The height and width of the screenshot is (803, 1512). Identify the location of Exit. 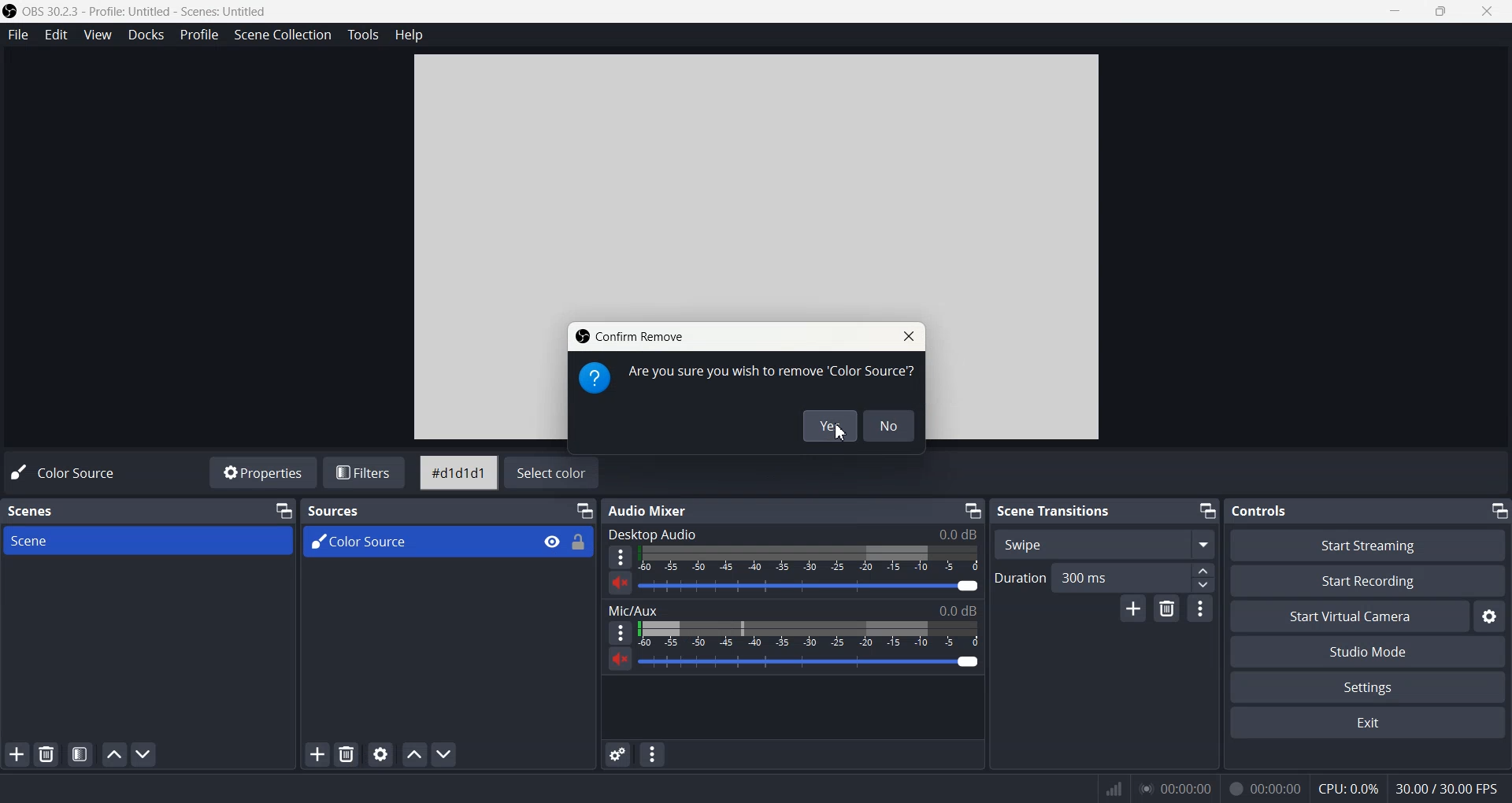
(1367, 723).